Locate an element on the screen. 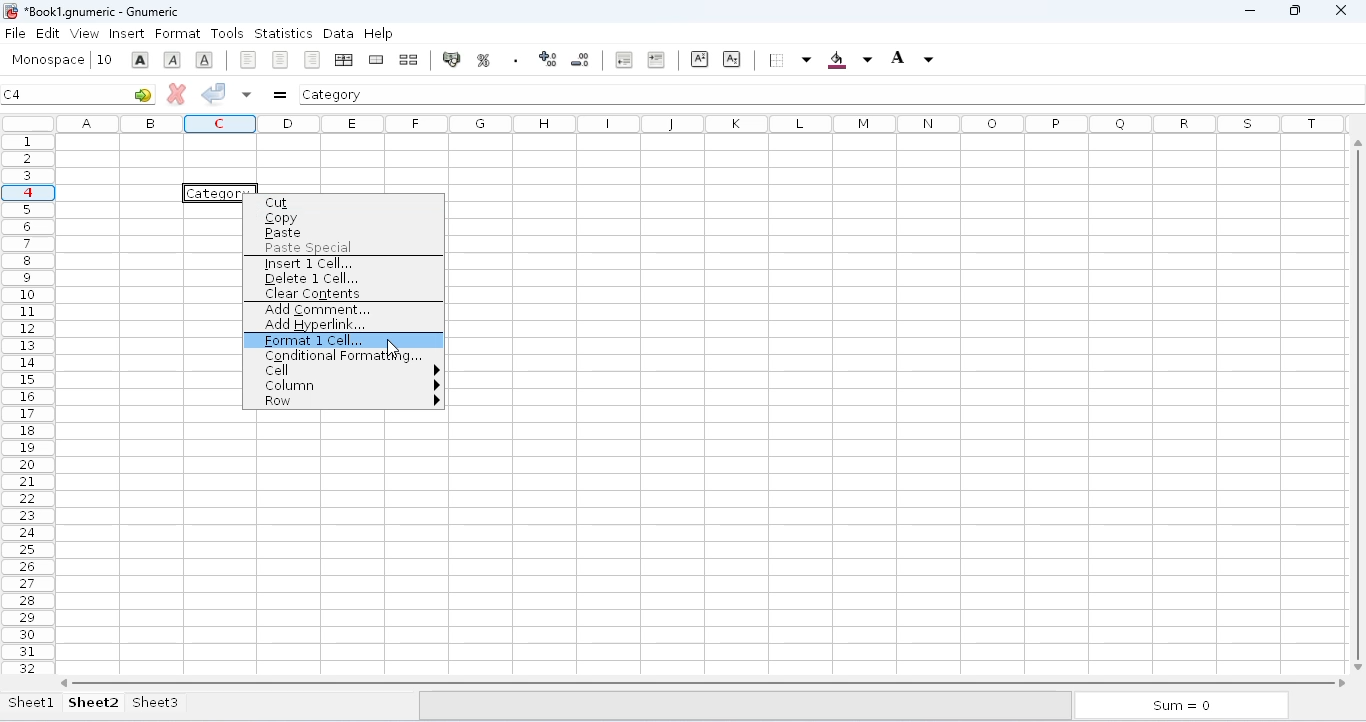 The height and width of the screenshot is (722, 1366). set the format of the selected cells to include a thousands separator is located at coordinates (515, 60).